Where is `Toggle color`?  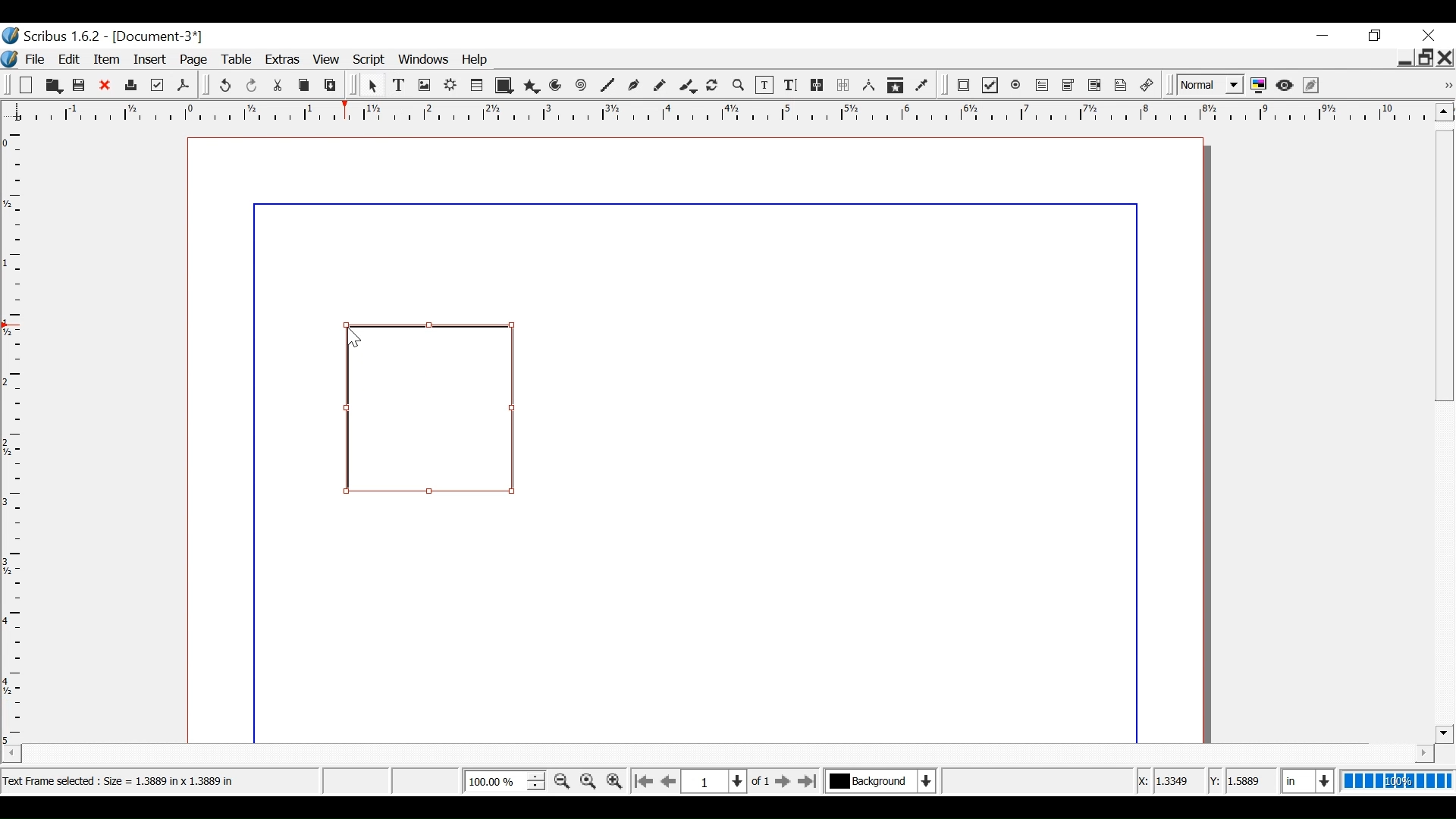
Toggle color is located at coordinates (1260, 86).